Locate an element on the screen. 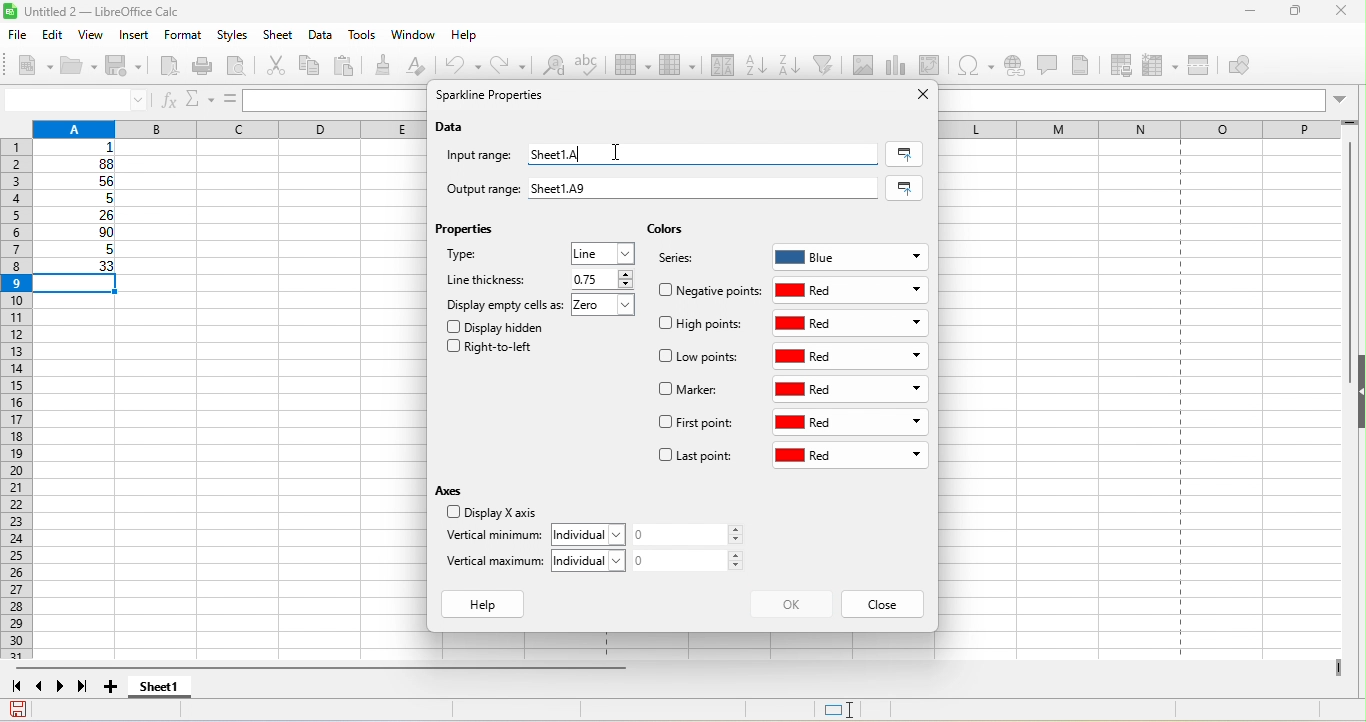 This screenshot has height=722, width=1366. close is located at coordinates (1342, 13).